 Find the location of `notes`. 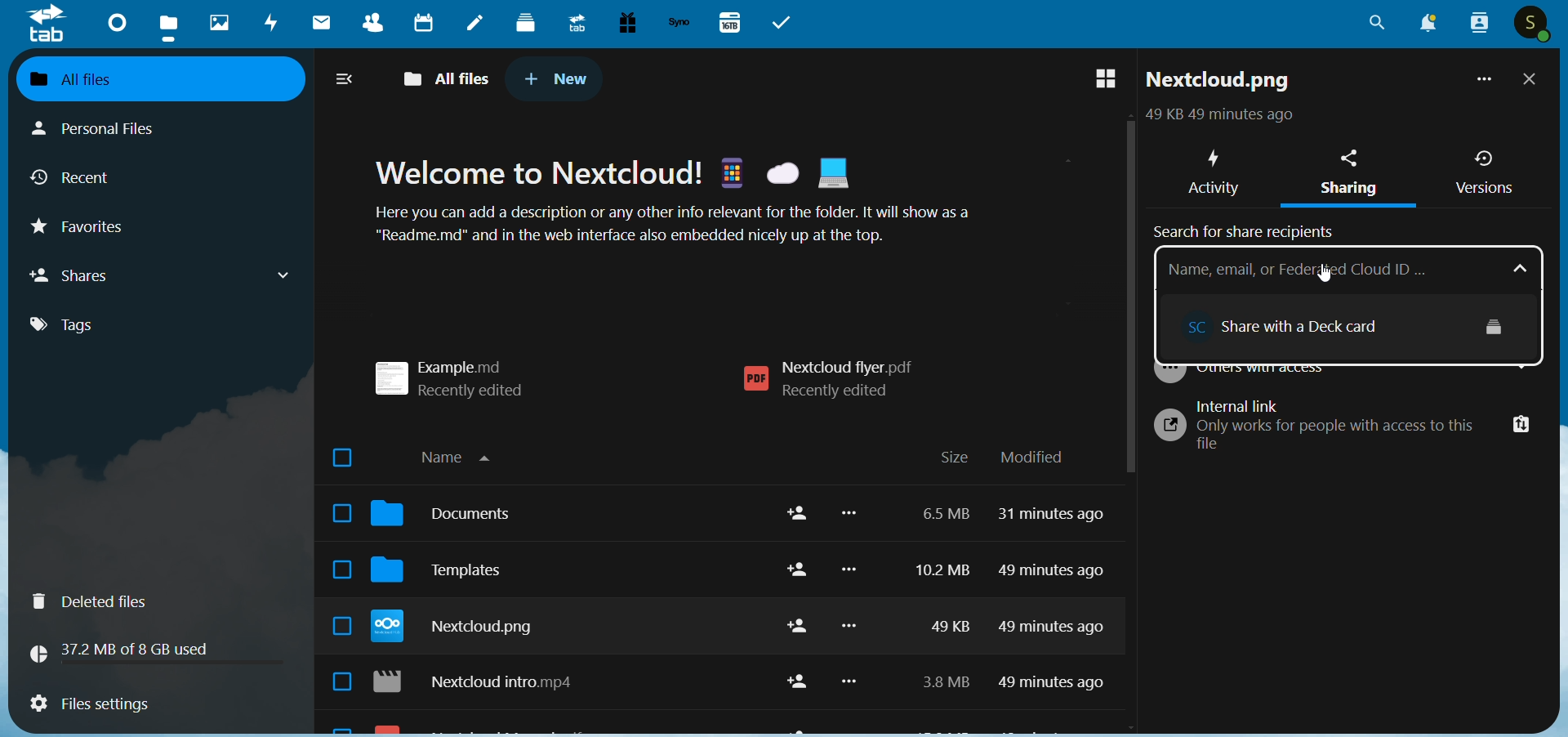

notes is located at coordinates (475, 25).